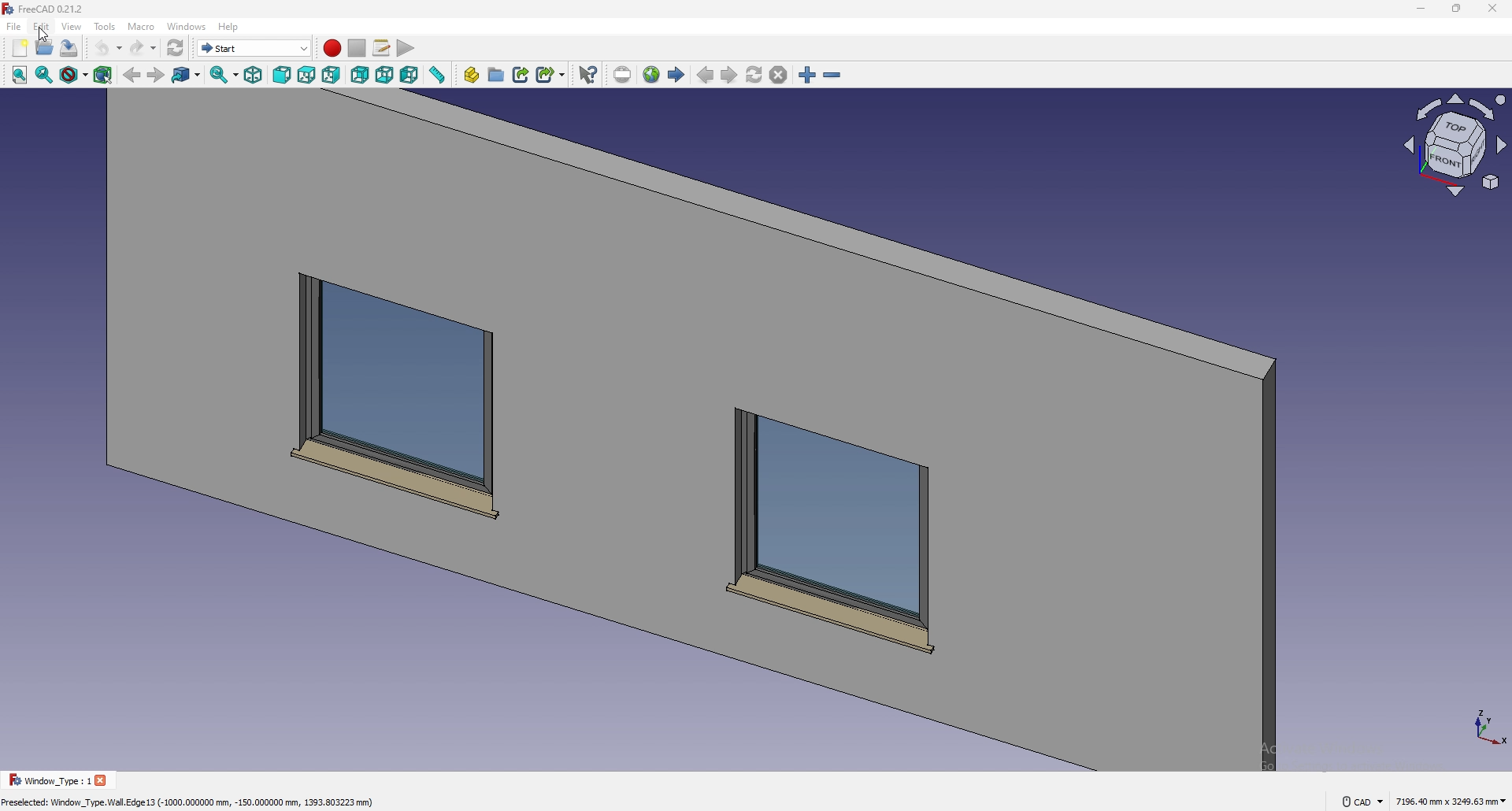  Describe the element at coordinates (45, 36) in the screenshot. I see `cursor` at that location.